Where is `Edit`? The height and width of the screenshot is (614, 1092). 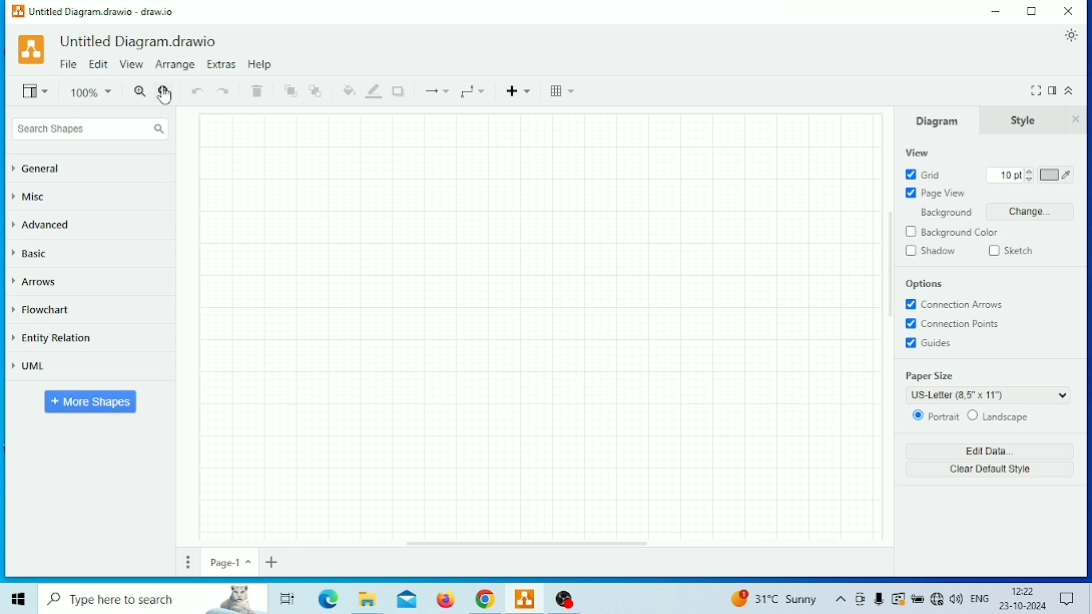
Edit is located at coordinates (99, 65).